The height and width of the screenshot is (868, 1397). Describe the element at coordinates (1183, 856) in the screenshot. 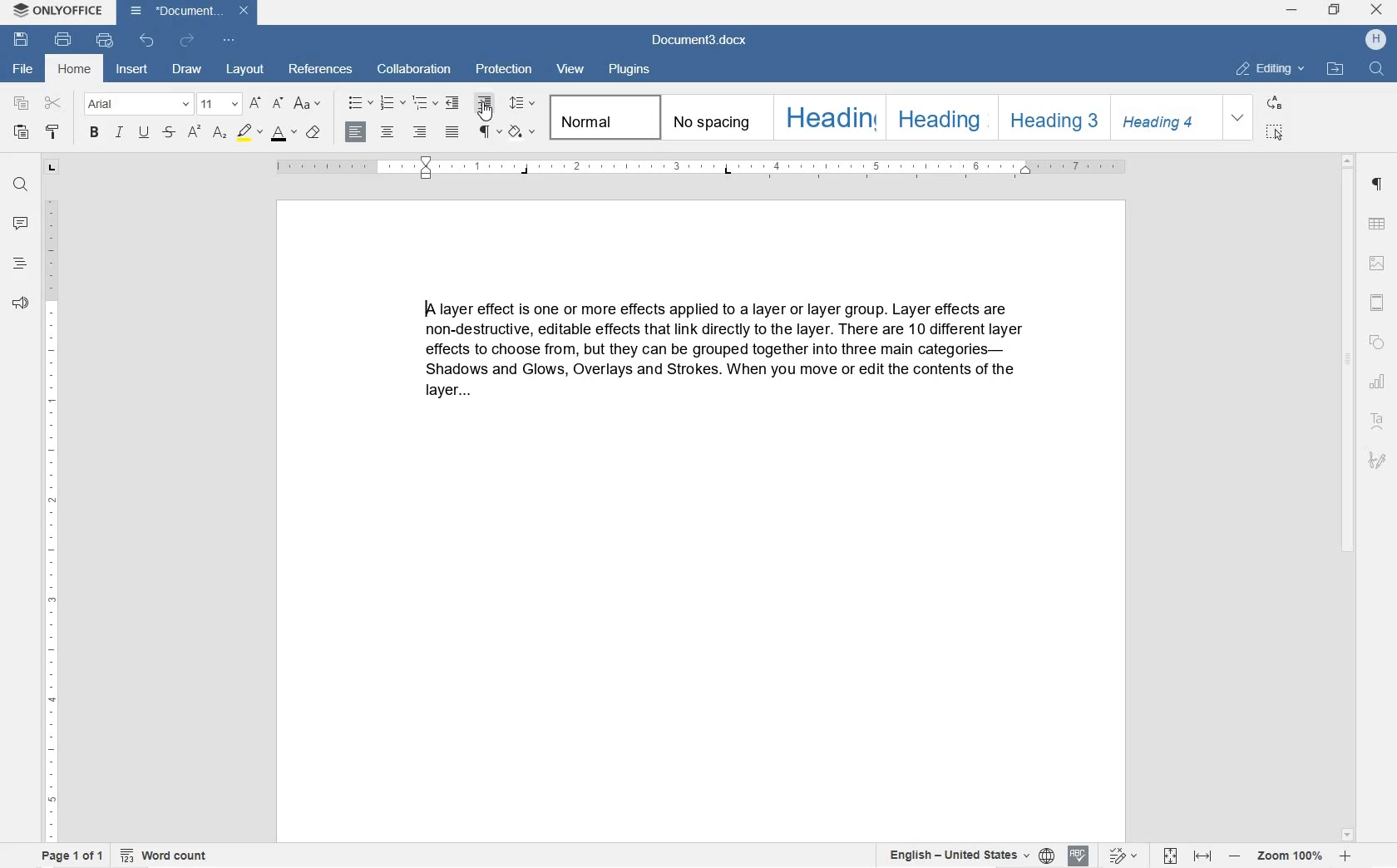

I see `FIT TO PAGE OR WIDTH` at that location.